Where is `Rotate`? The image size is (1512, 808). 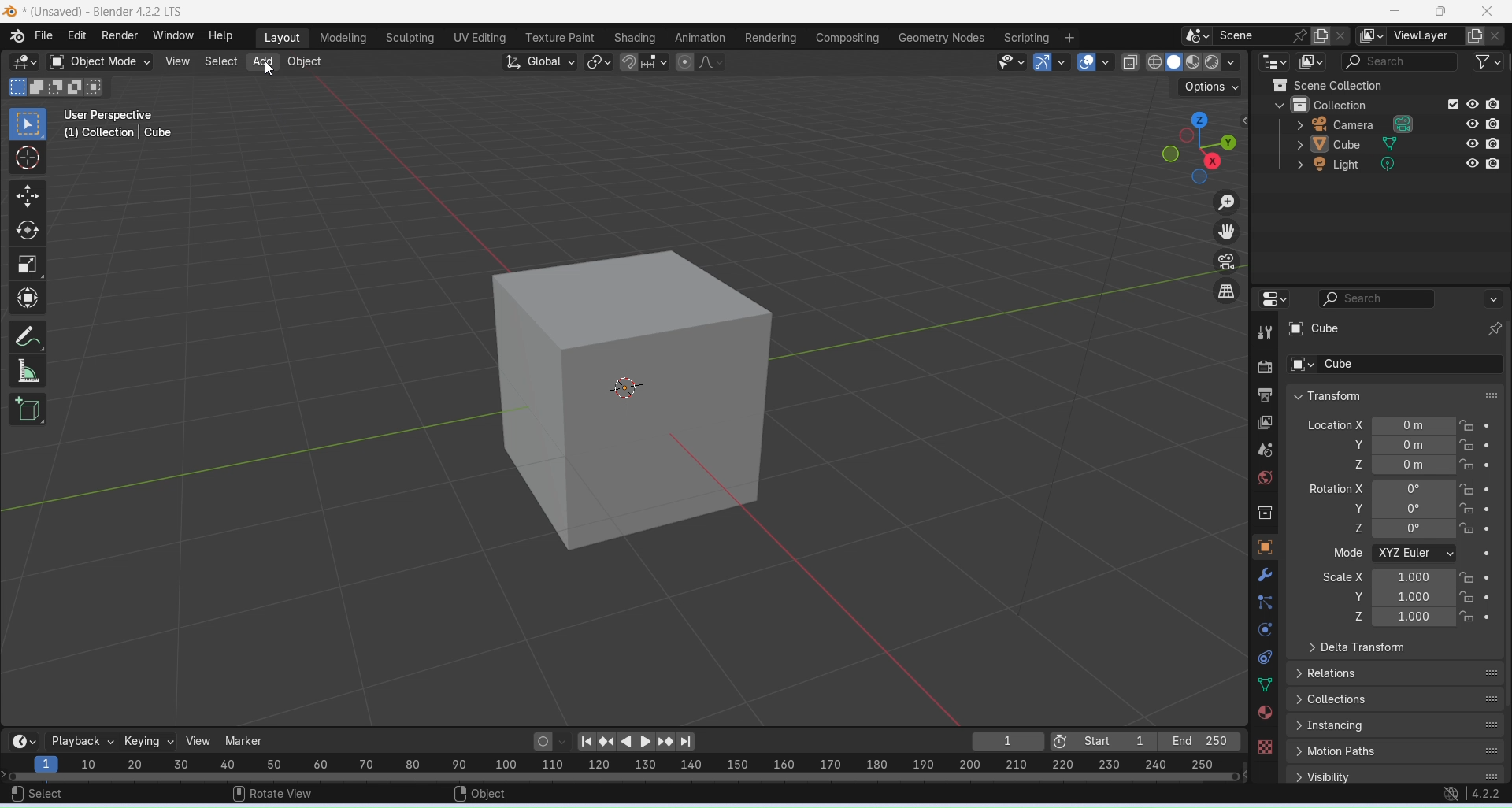
Rotate is located at coordinates (24, 231).